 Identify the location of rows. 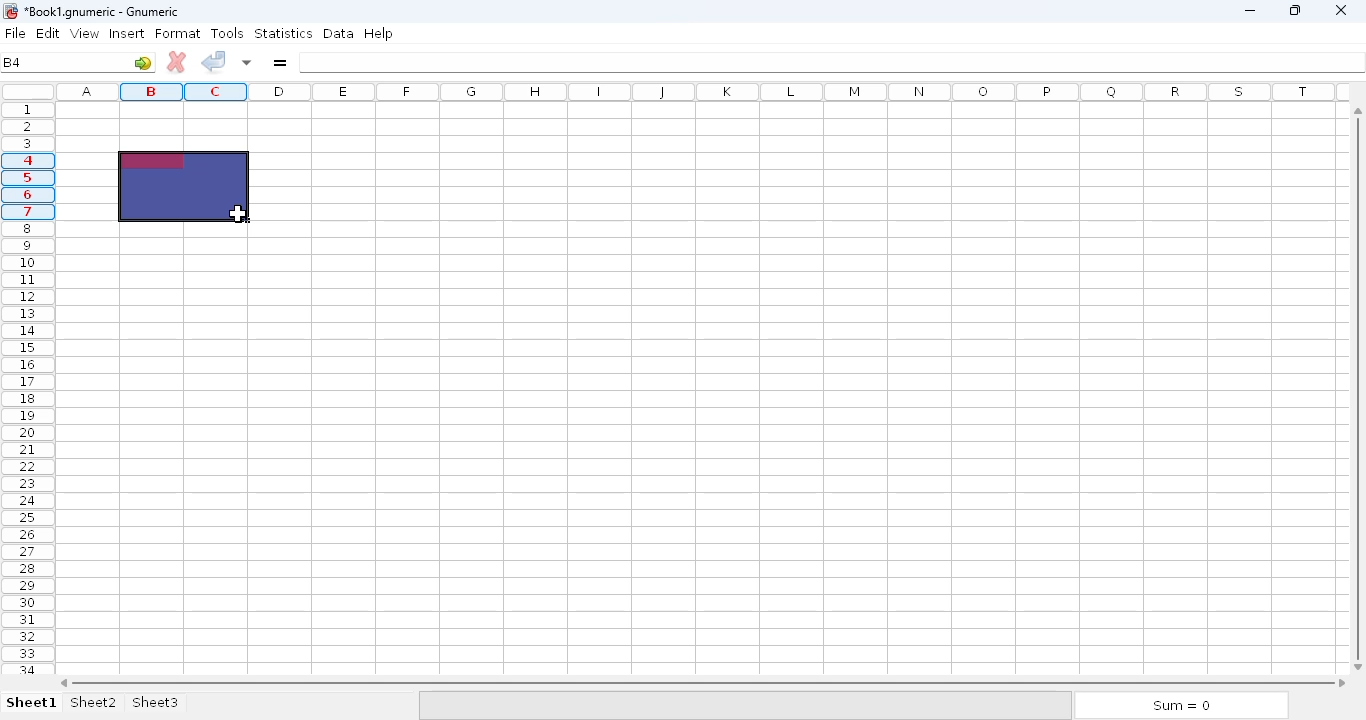
(25, 389).